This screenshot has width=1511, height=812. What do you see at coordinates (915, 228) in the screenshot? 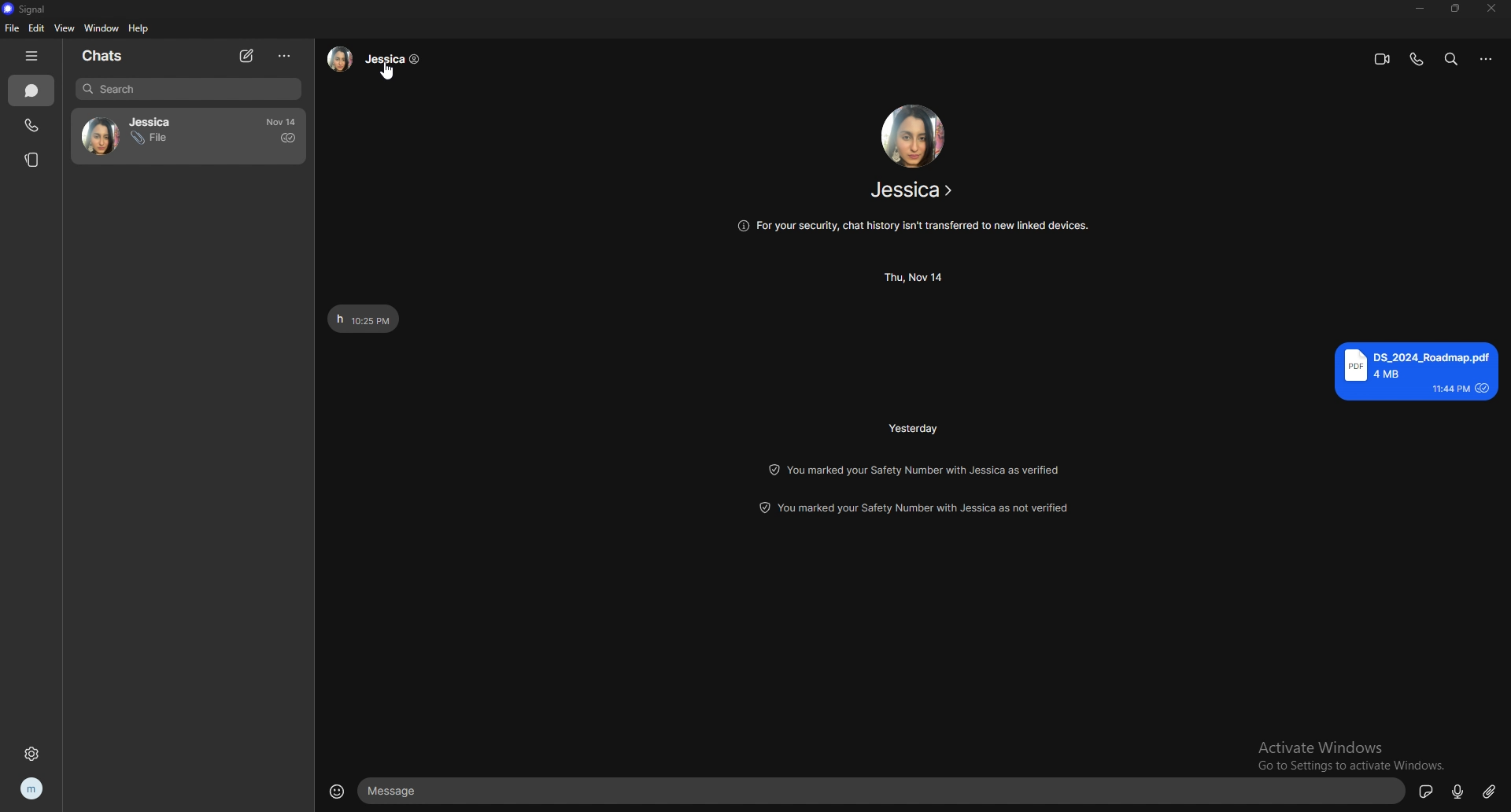
I see `info` at bounding box center [915, 228].